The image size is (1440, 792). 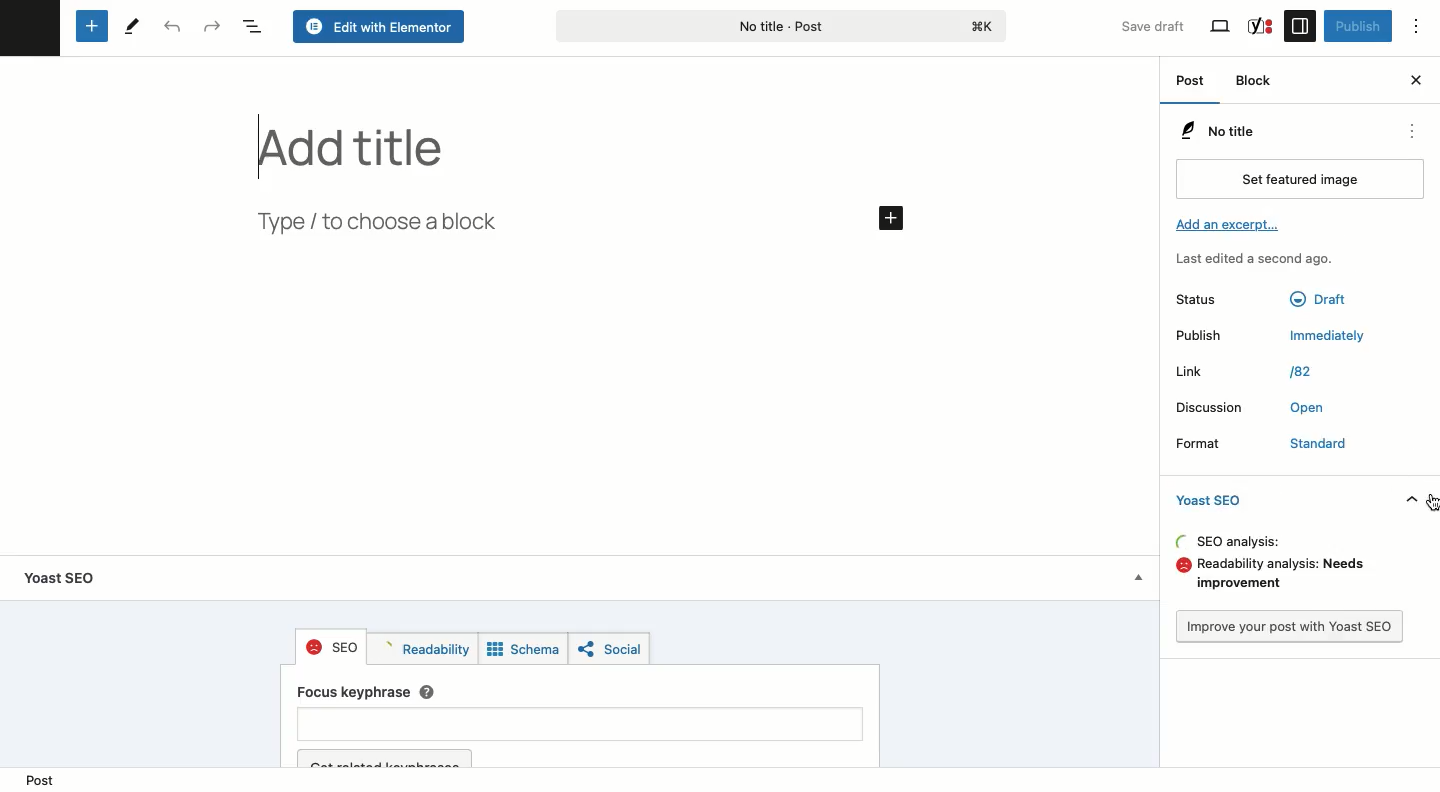 I want to click on Yoast, so click(x=1259, y=25).